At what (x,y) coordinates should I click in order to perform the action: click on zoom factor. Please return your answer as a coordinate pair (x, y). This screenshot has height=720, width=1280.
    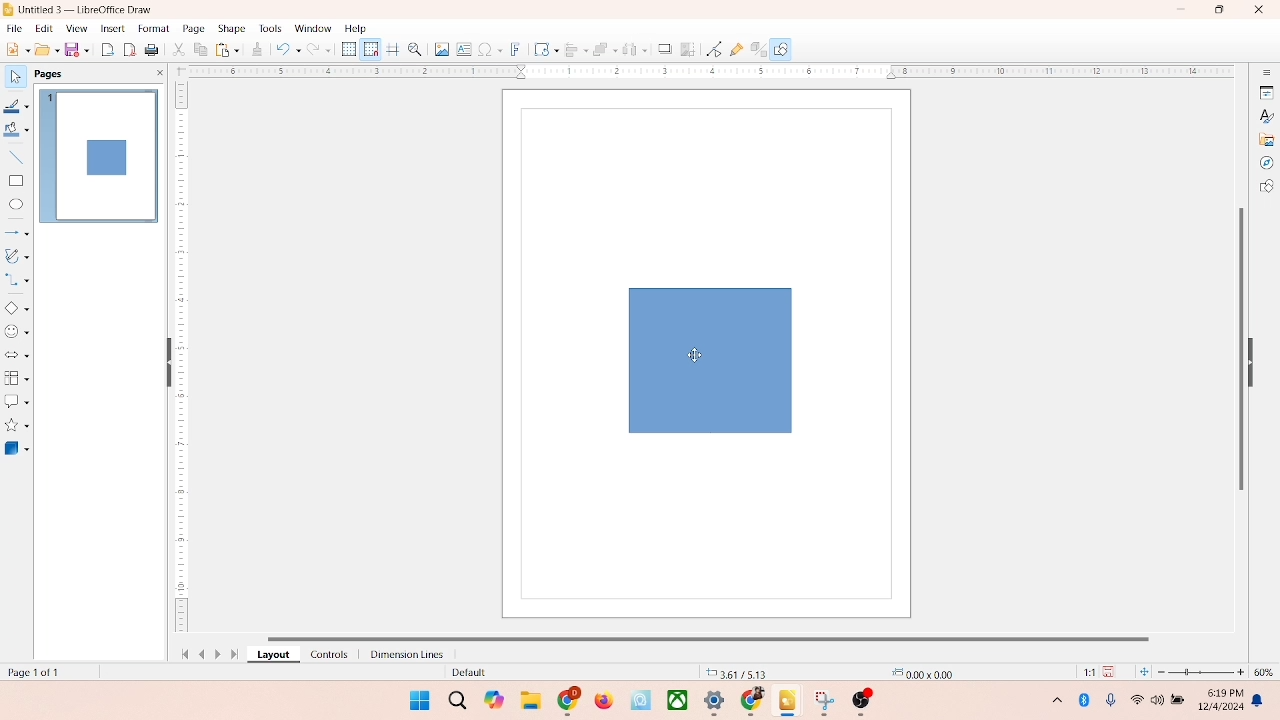
    Looking at the image, I should click on (1202, 672).